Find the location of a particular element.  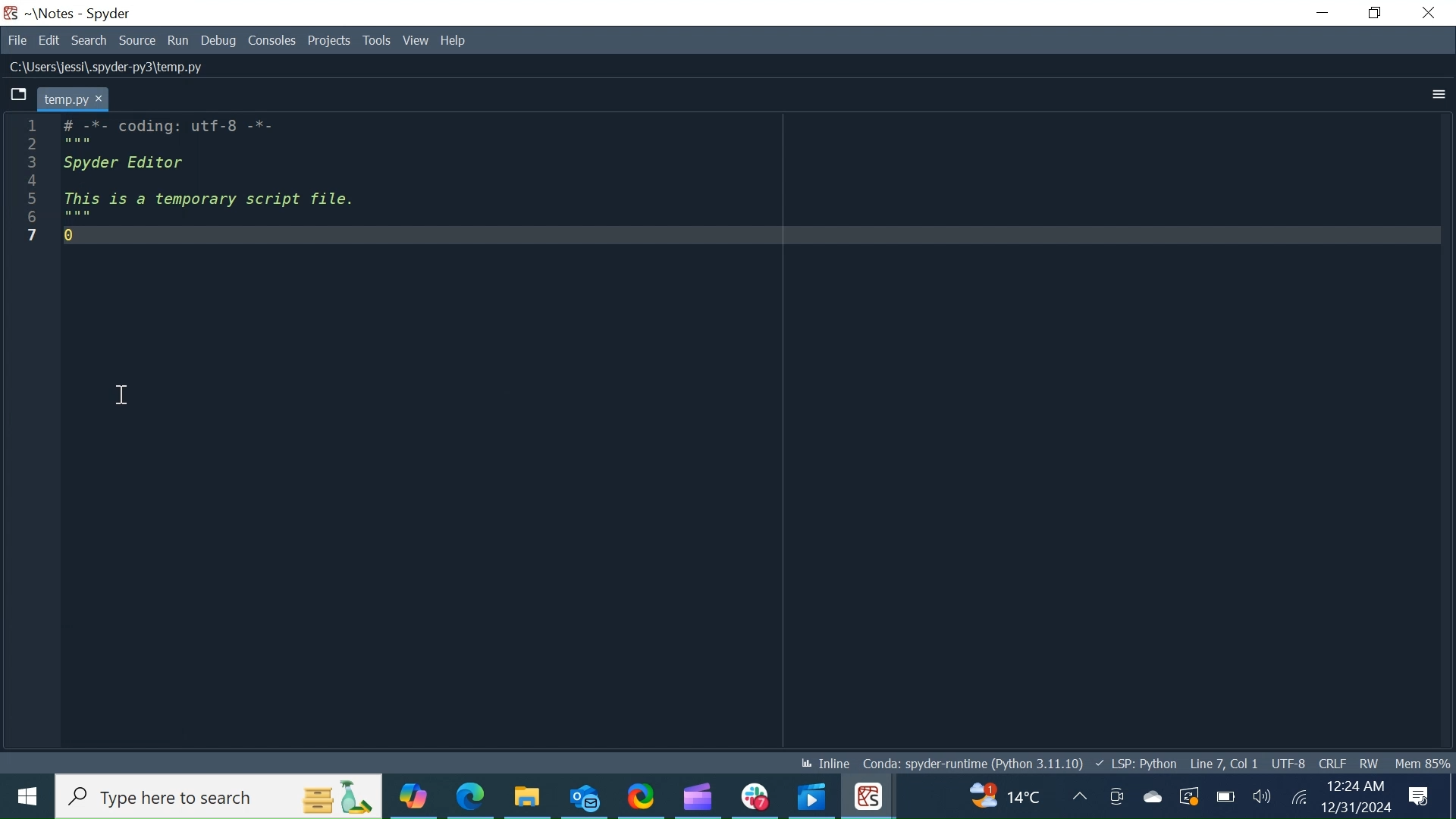

12:24 am is located at coordinates (1357, 785).